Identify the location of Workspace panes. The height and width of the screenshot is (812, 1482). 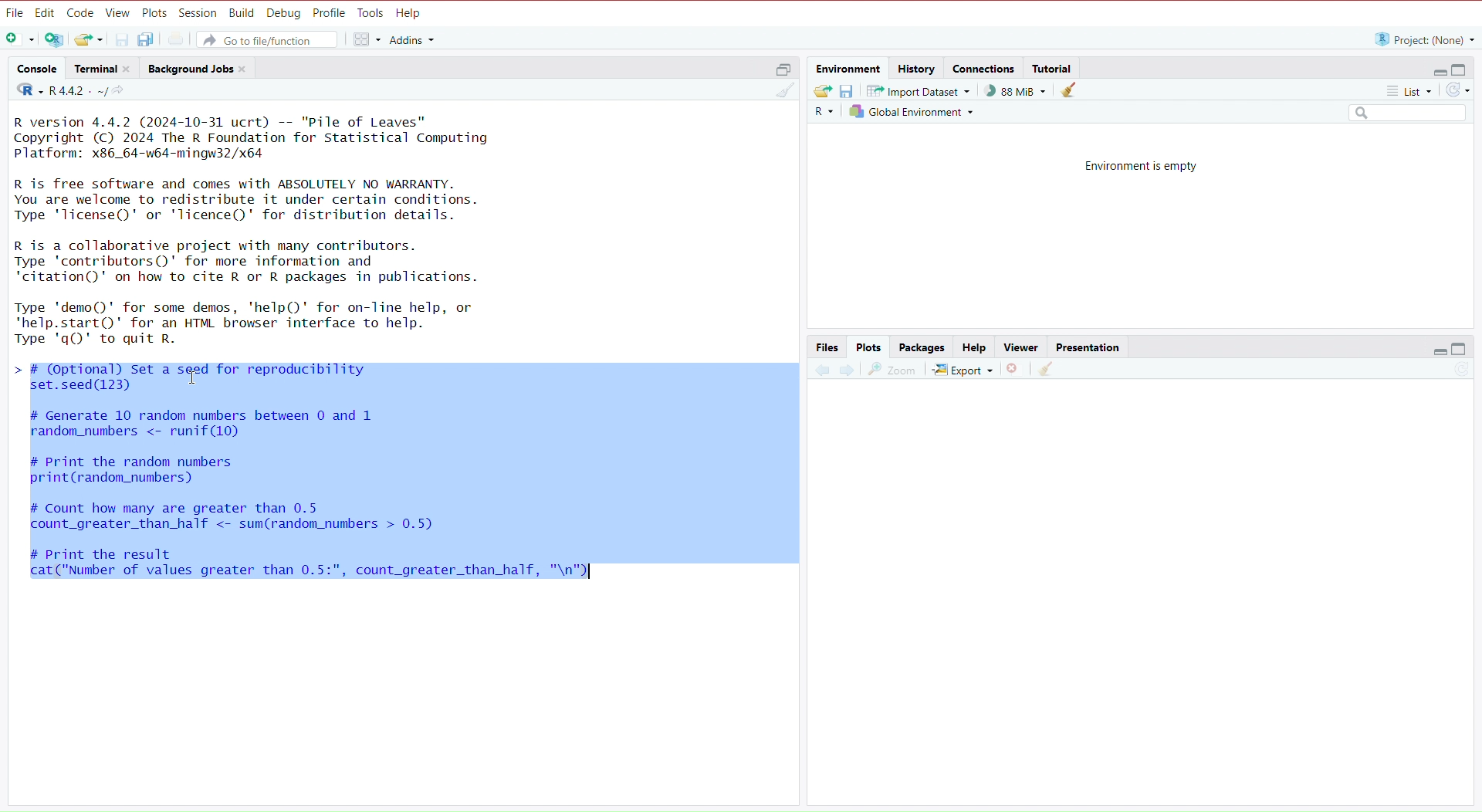
(365, 41).